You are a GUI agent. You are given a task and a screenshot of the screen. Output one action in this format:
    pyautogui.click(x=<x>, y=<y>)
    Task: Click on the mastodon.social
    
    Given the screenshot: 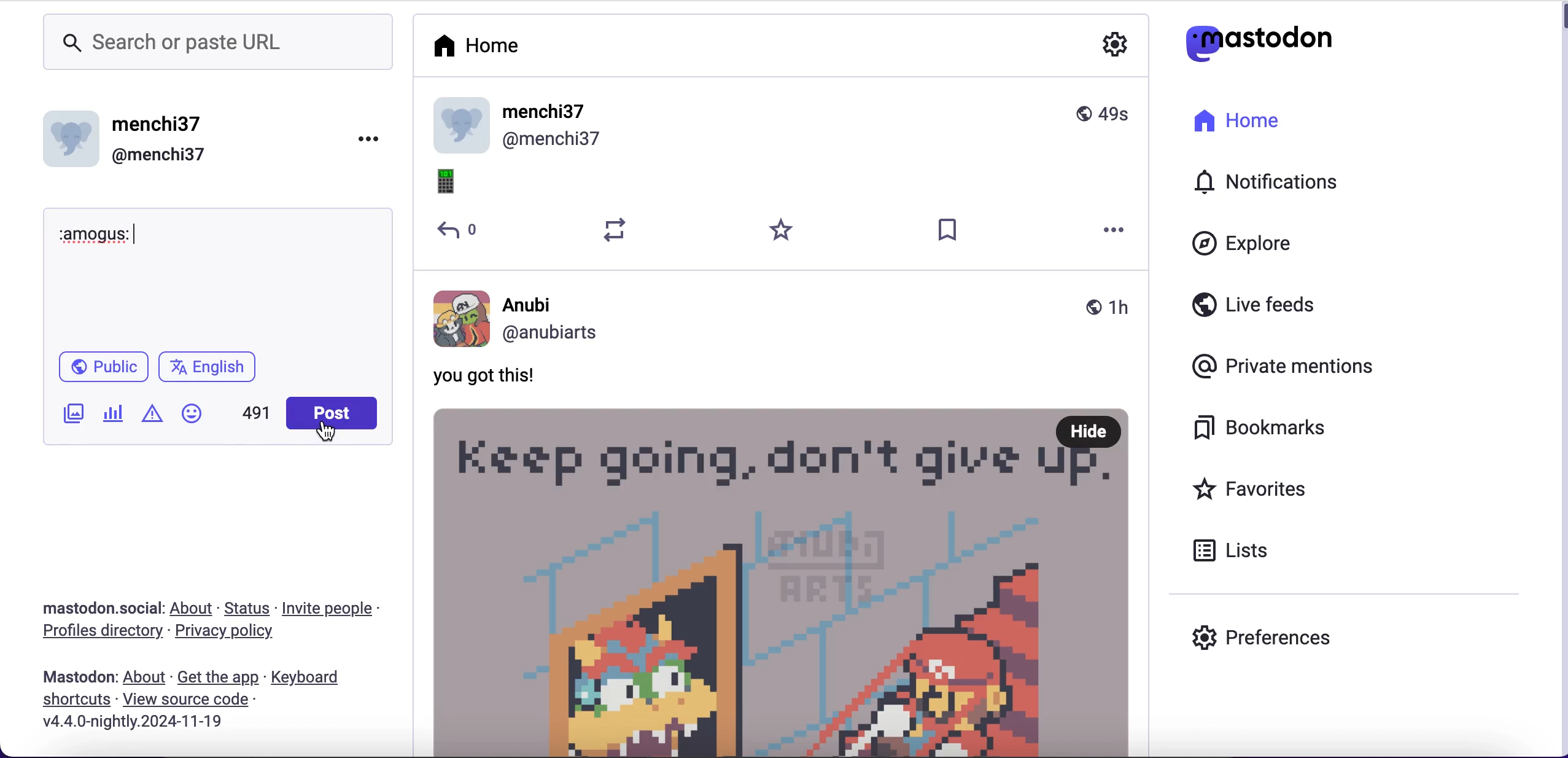 What is the action you would take?
    pyautogui.click(x=100, y=609)
    